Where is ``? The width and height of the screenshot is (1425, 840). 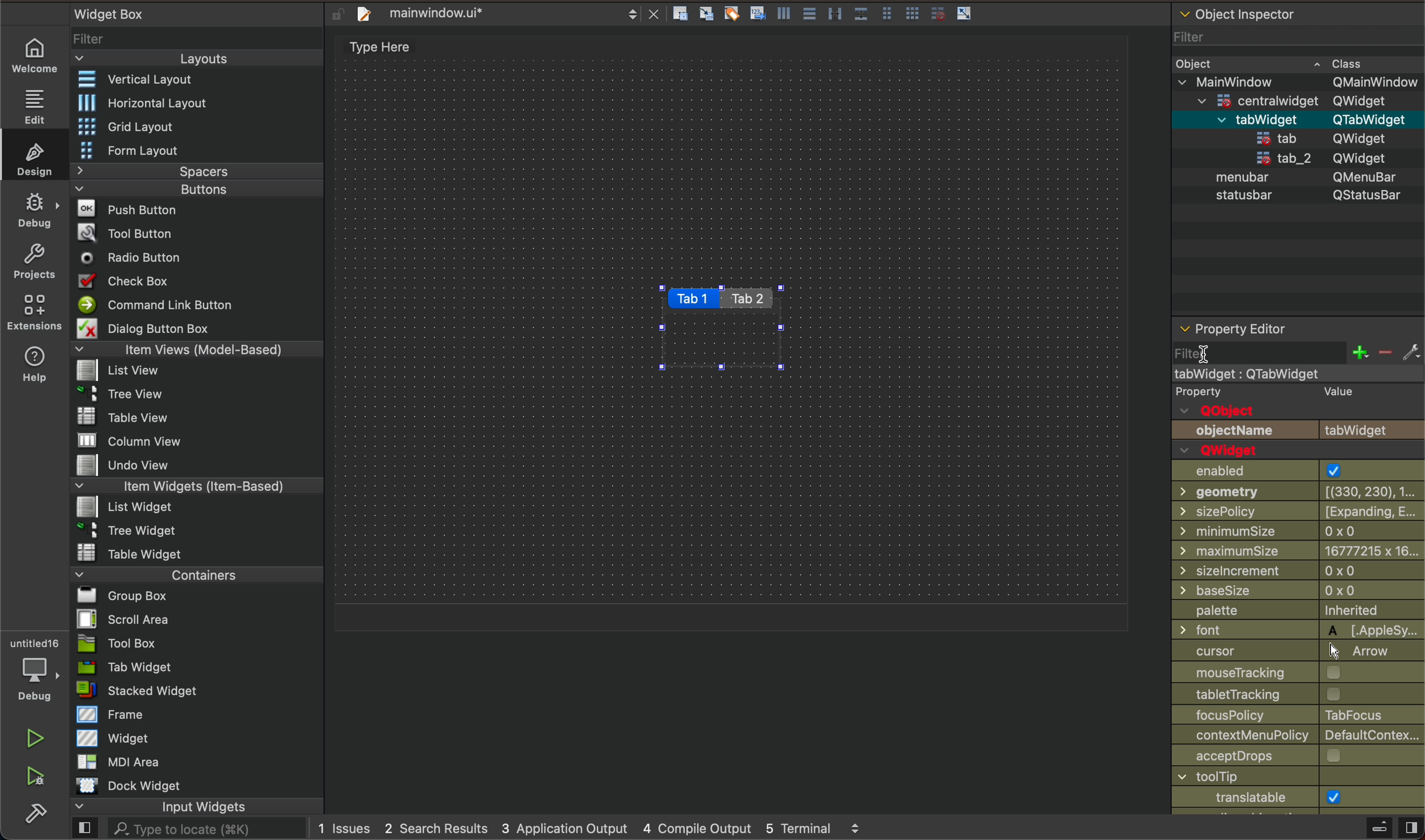
 is located at coordinates (1299, 552).